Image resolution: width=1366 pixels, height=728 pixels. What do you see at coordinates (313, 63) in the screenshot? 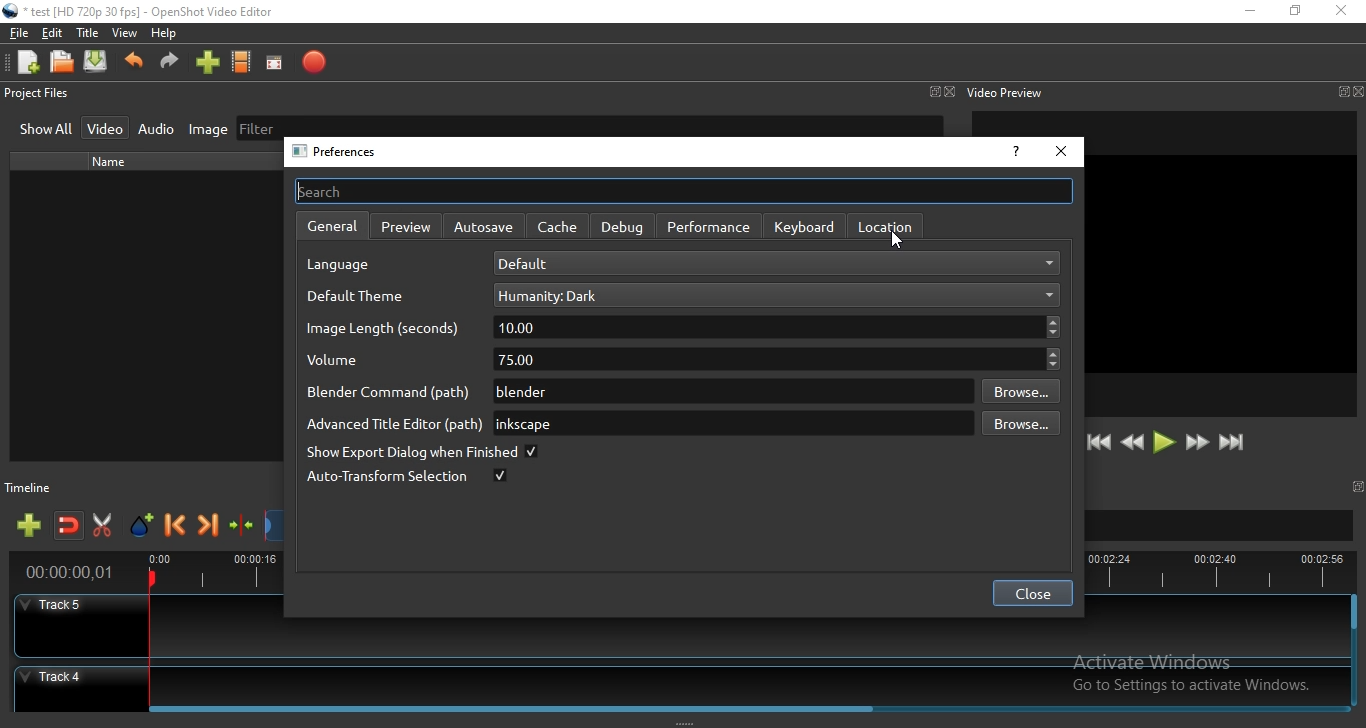
I see `Export video` at bounding box center [313, 63].